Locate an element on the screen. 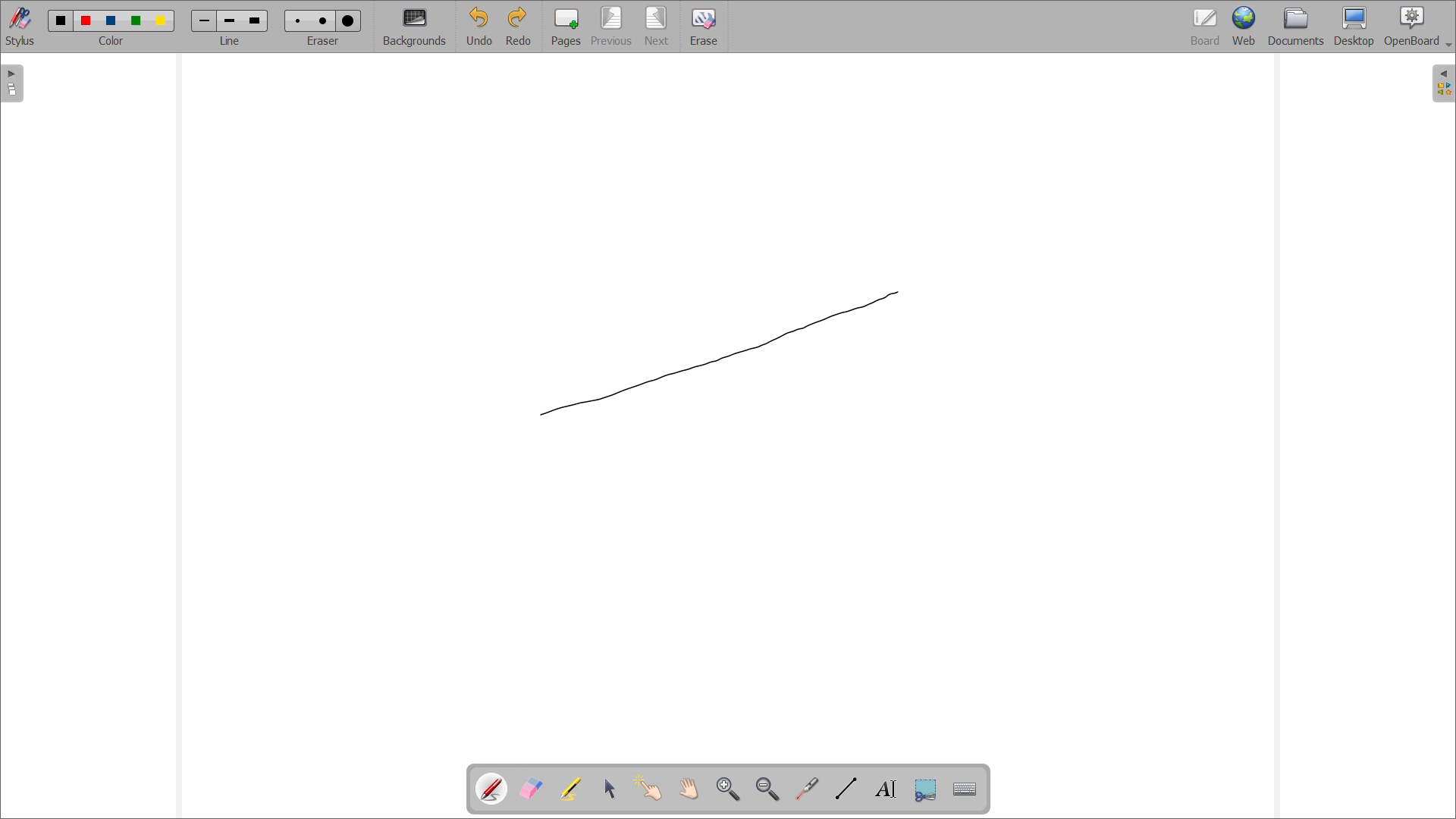 Image resolution: width=1456 pixels, height=819 pixels. line width size is located at coordinates (231, 22).